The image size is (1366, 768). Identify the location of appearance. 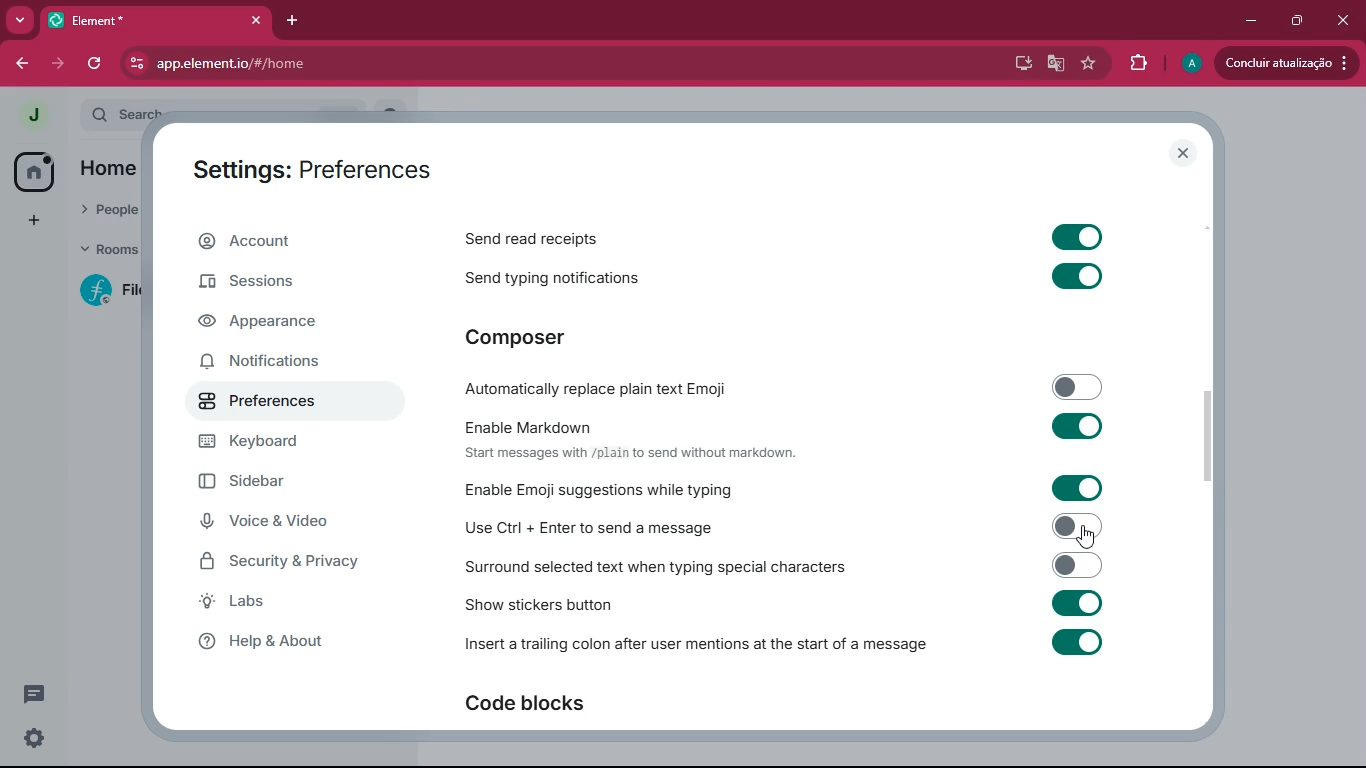
(280, 322).